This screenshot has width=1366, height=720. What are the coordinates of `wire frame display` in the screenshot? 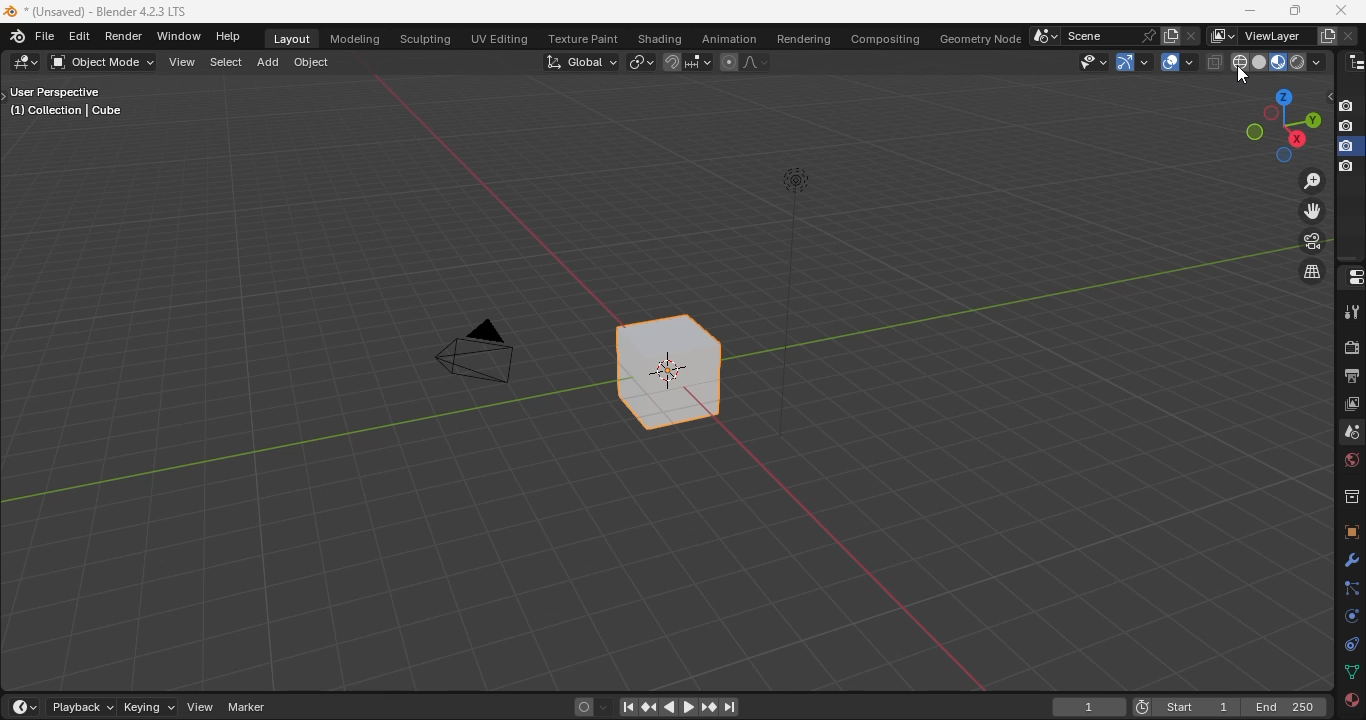 It's located at (1240, 62).